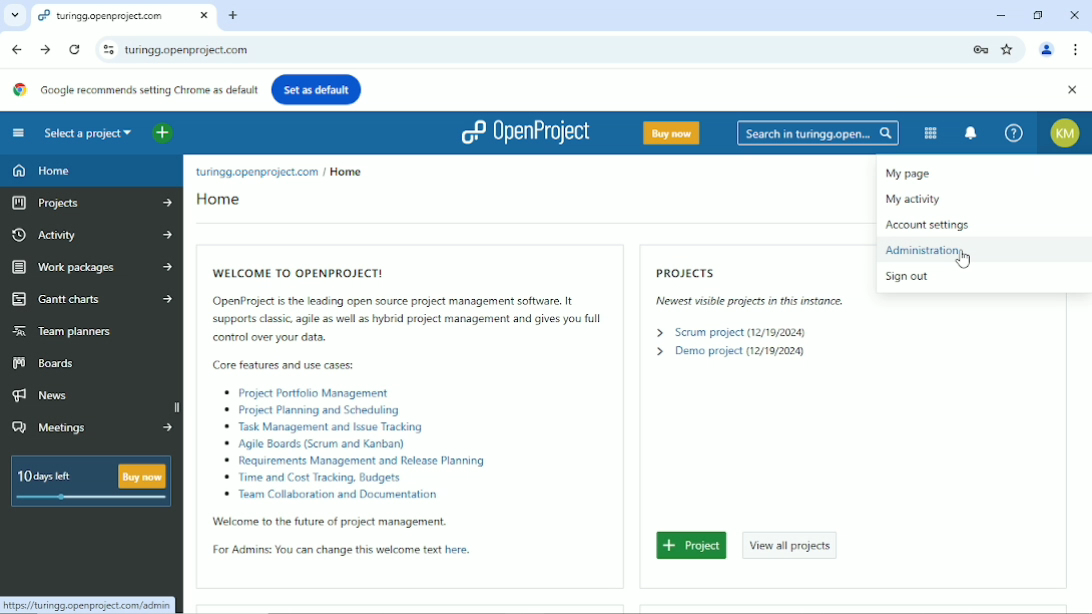 Image resolution: width=1092 pixels, height=614 pixels. What do you see at coordinates (927, 225) in the screenshot?
I see `Account settings` at bounding box center [927, 225].